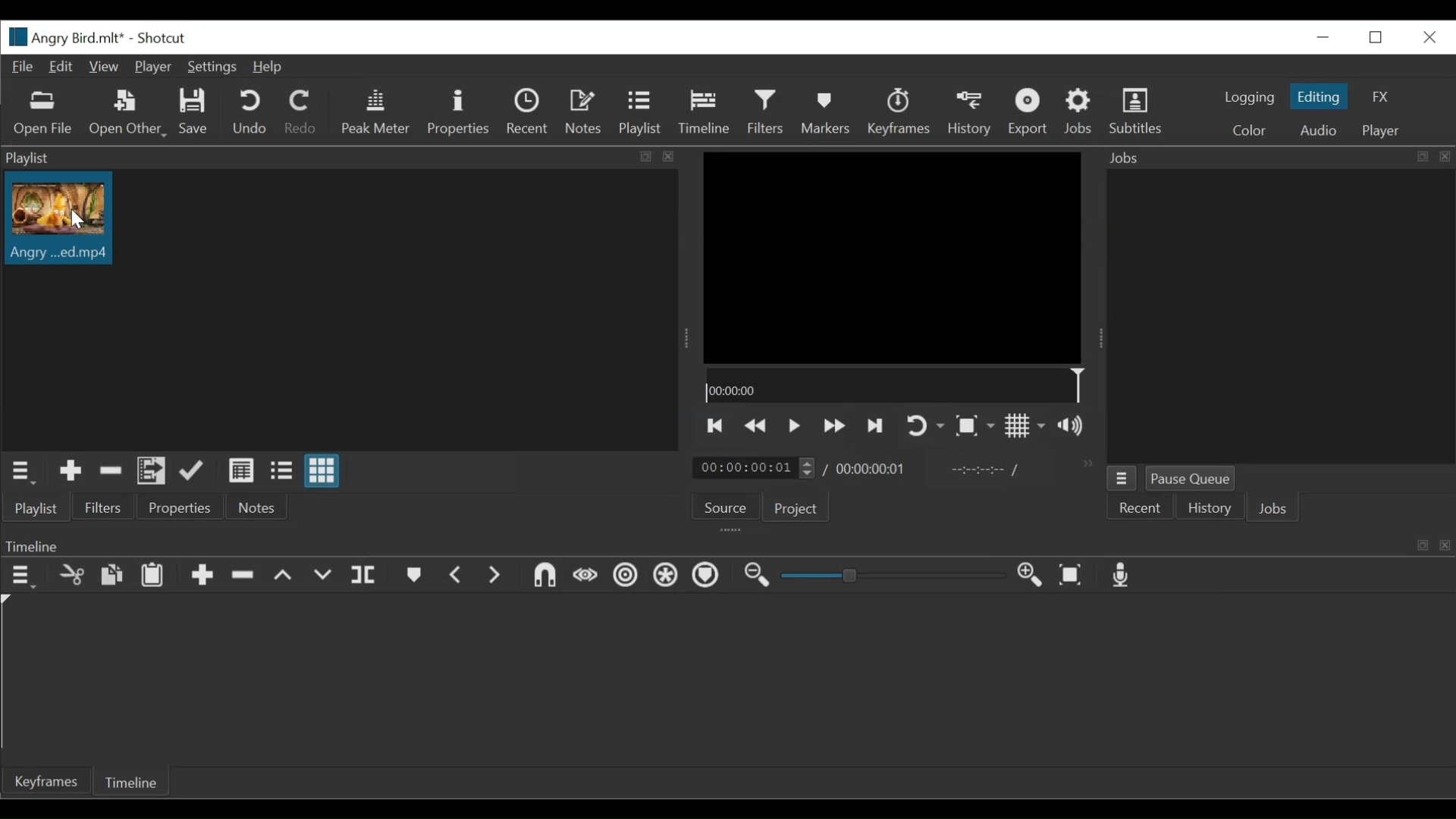 The width and height of the screenshot is (1456, 819). What do you see at coordinates (726, 508) in the screenshot?
I see `Source` at bounding box center [726, 508].